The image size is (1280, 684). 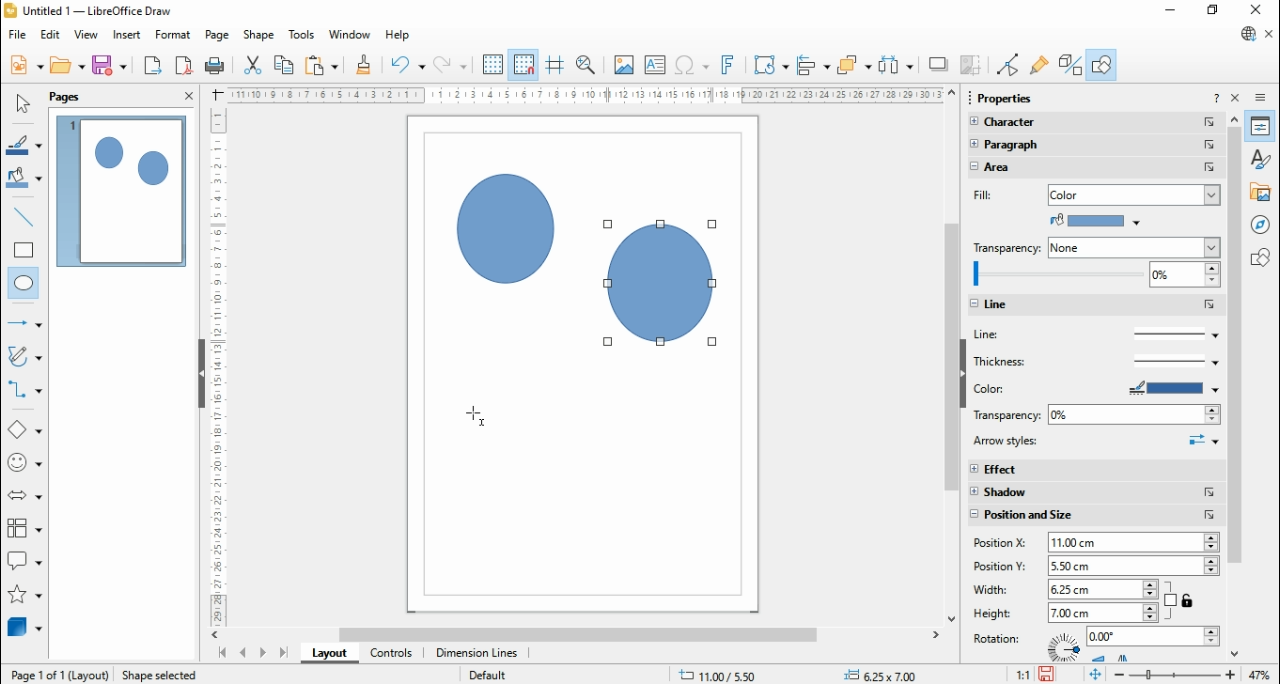 I want to click on display grid, so click(x=492, y=66).